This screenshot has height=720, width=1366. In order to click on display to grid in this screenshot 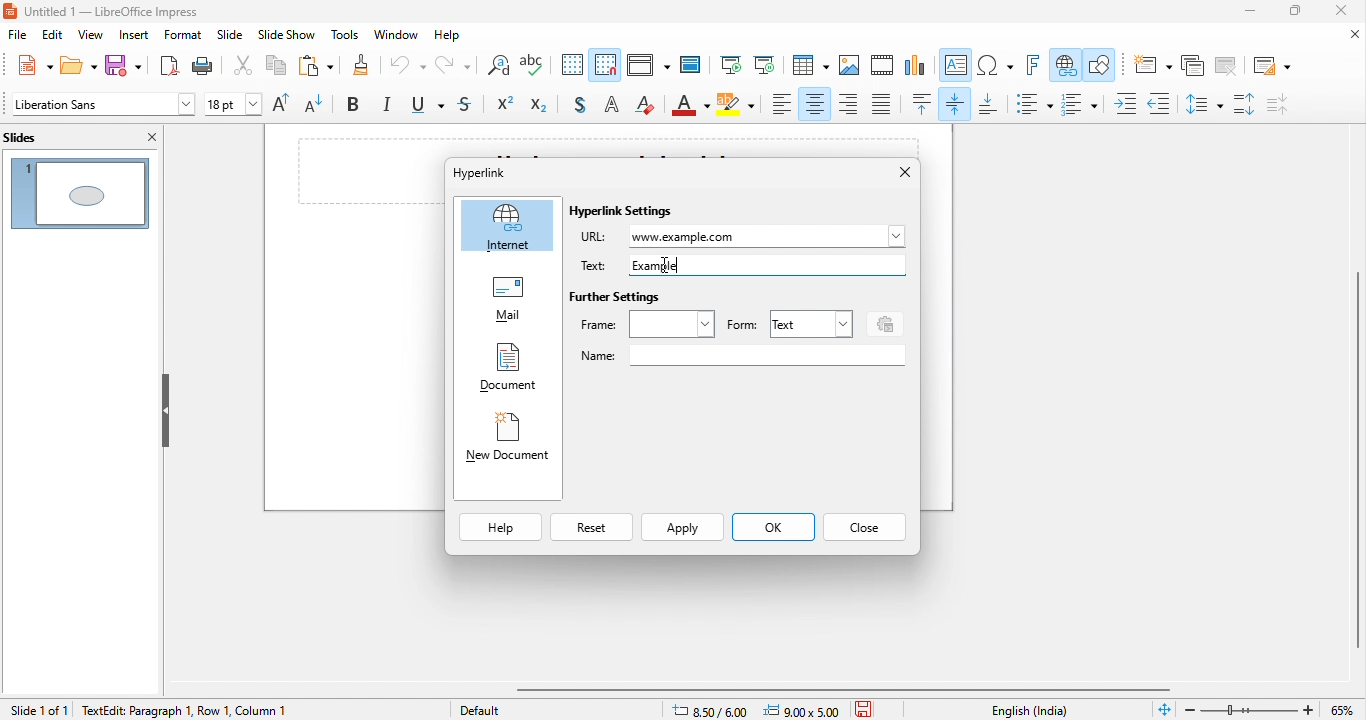, I will do `click(573, 66)`.